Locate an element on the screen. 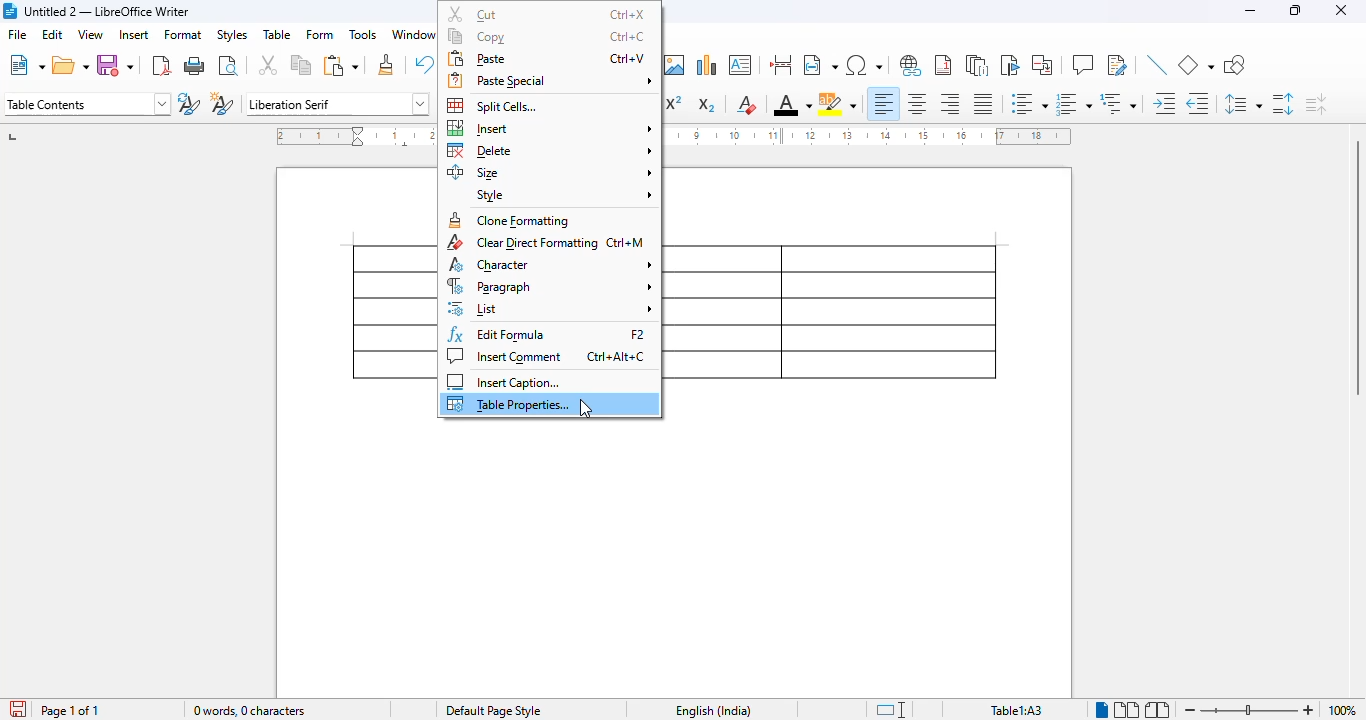 This screenshot has height=720, width=1366. toggle print preview is located at coordinates (229, 65).